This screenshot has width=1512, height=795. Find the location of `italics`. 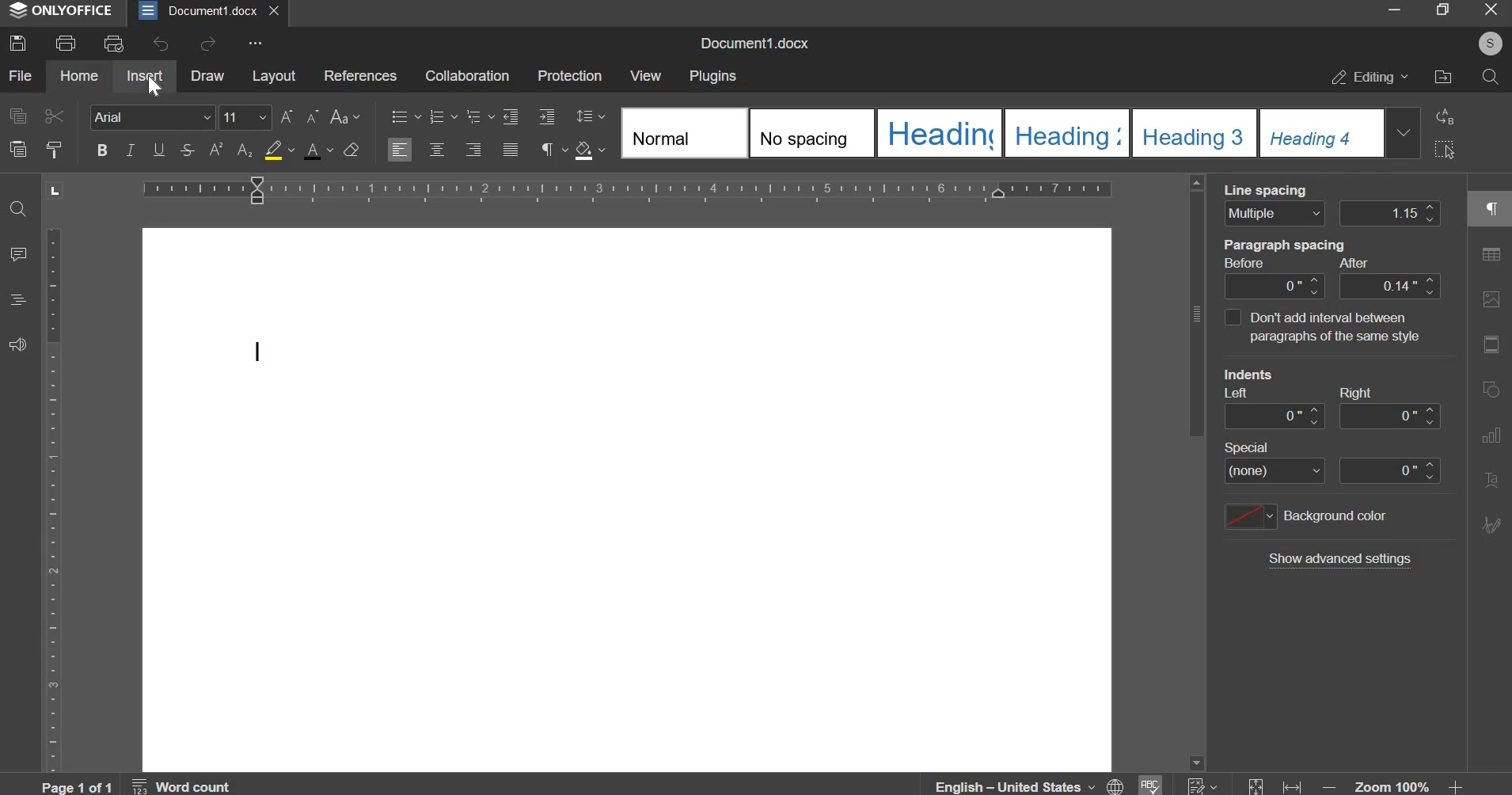

italics is located at coordinates (131, 149).